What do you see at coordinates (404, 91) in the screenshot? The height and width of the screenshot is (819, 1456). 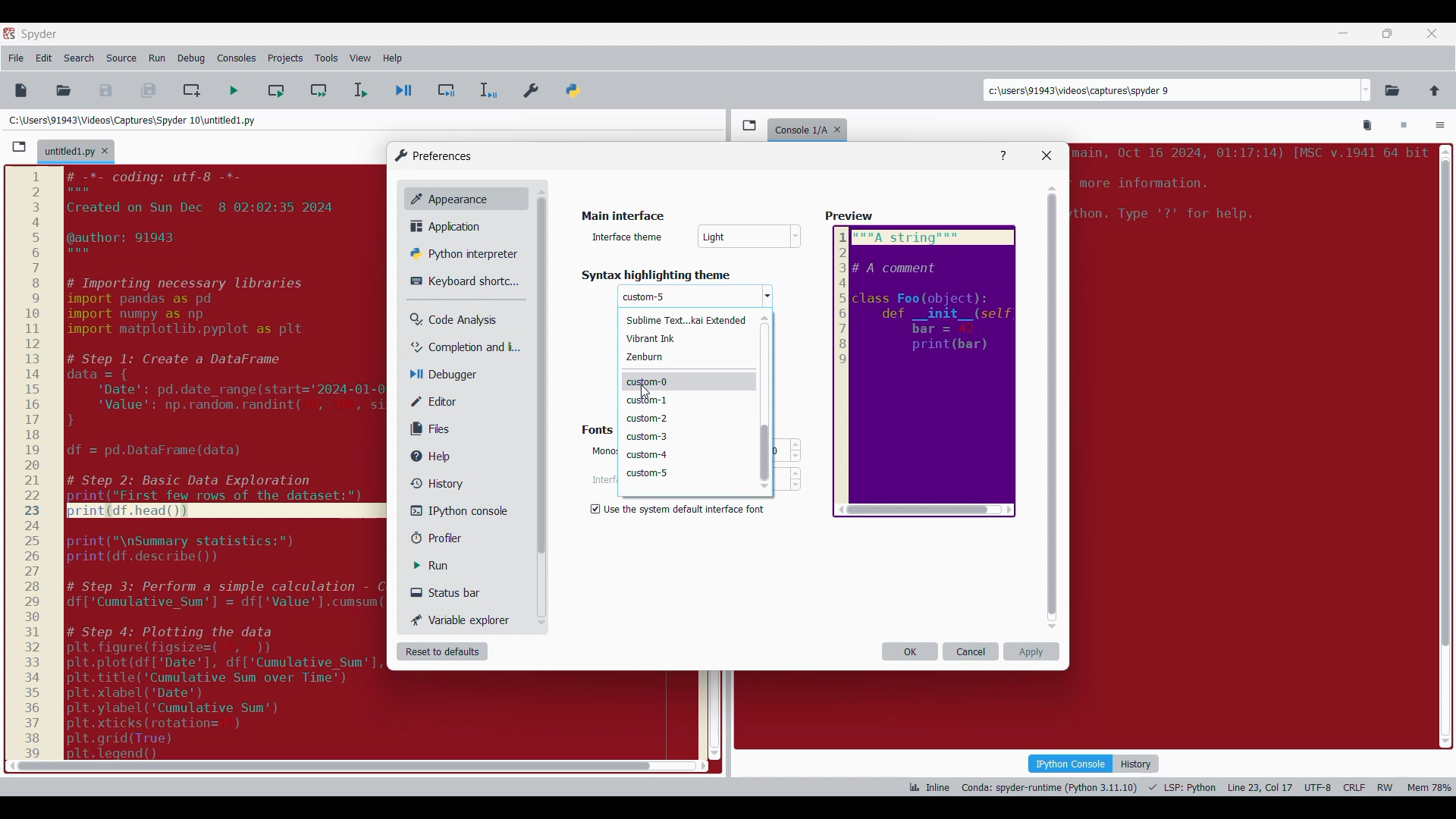 I see `Debug file` at bounding box center [404, 91].